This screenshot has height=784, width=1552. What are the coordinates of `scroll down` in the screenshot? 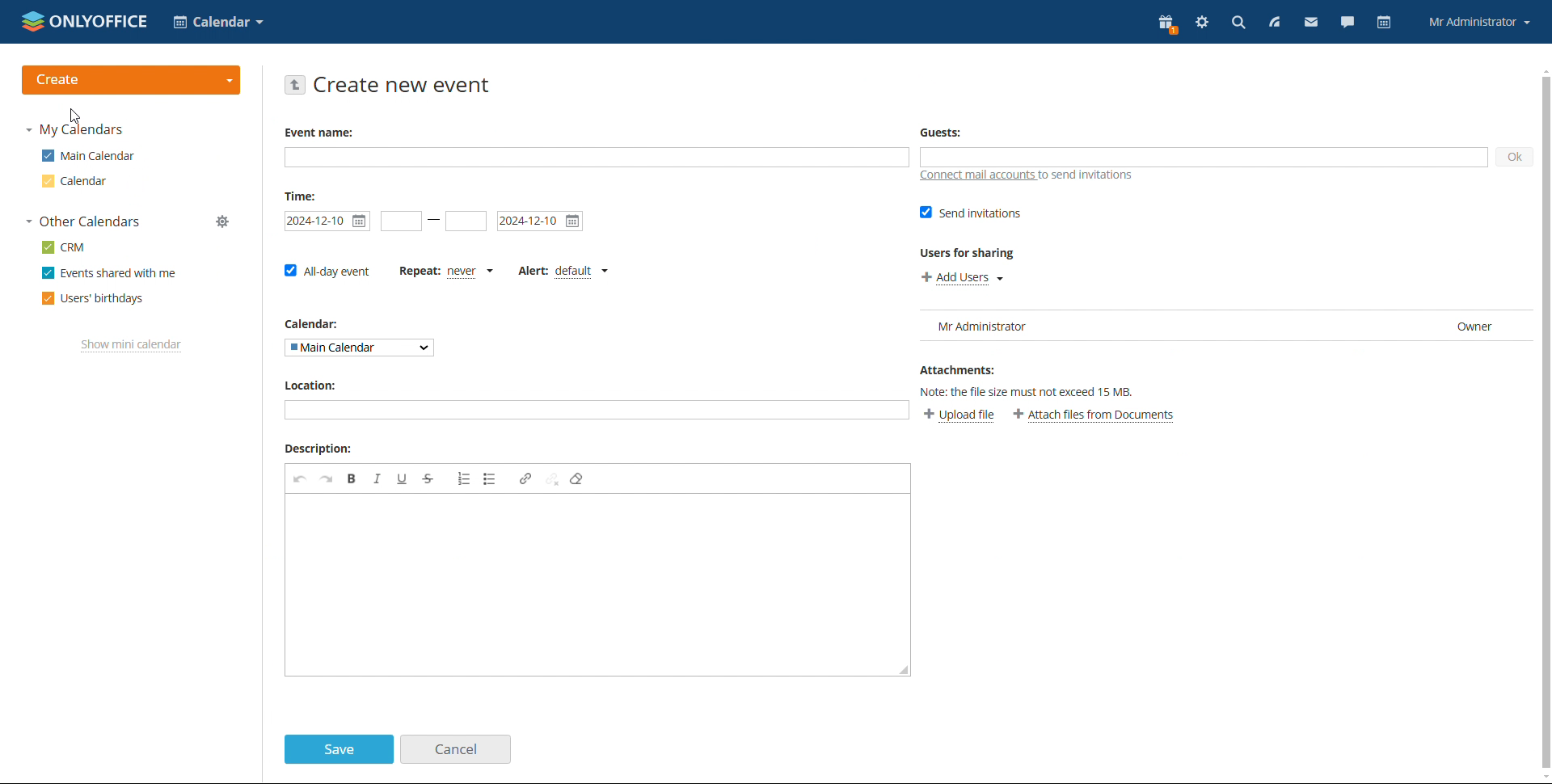 It's located at (1542, 778).